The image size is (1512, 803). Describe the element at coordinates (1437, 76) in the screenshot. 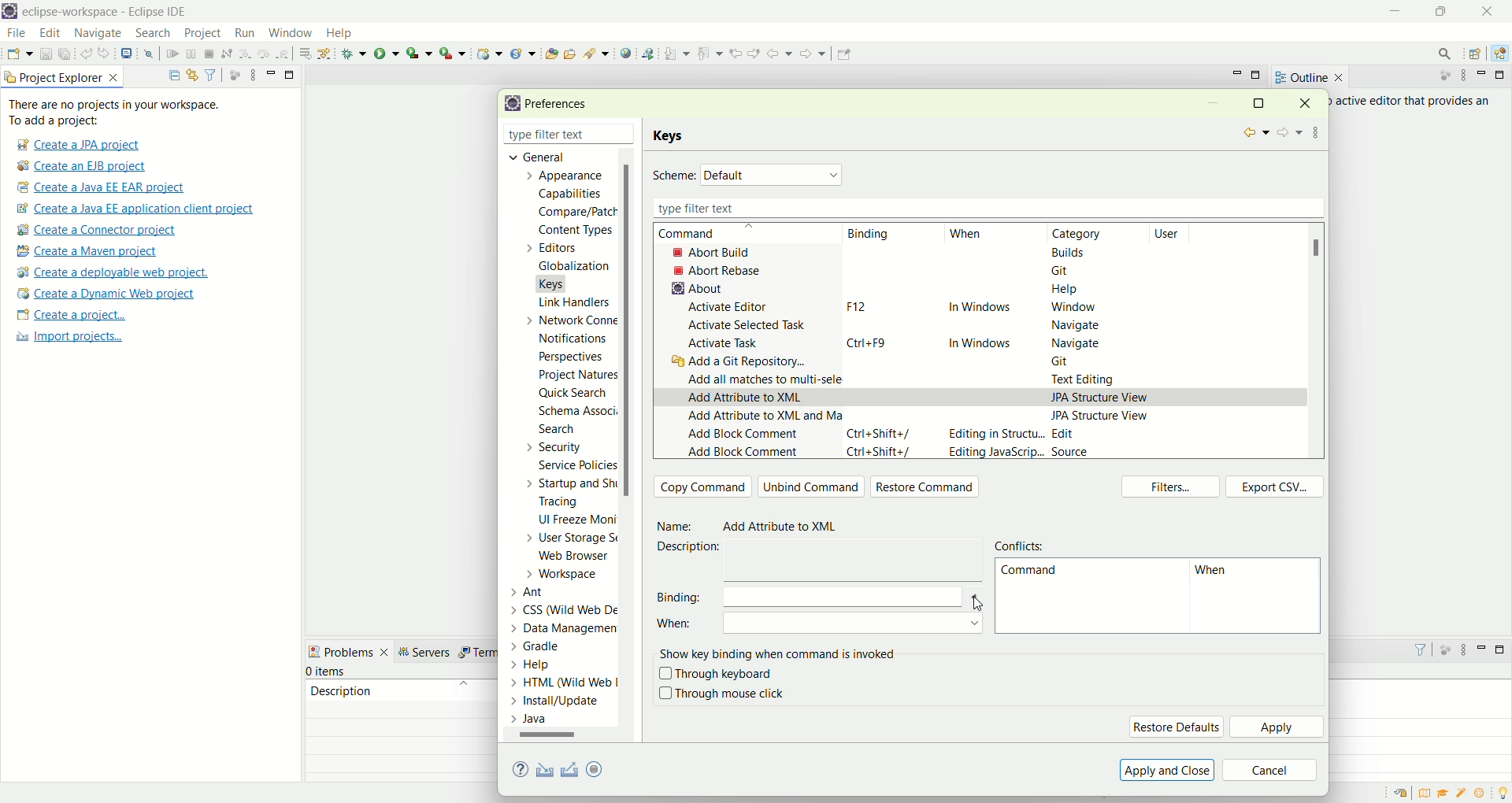

I see `focus on active task` at that location.